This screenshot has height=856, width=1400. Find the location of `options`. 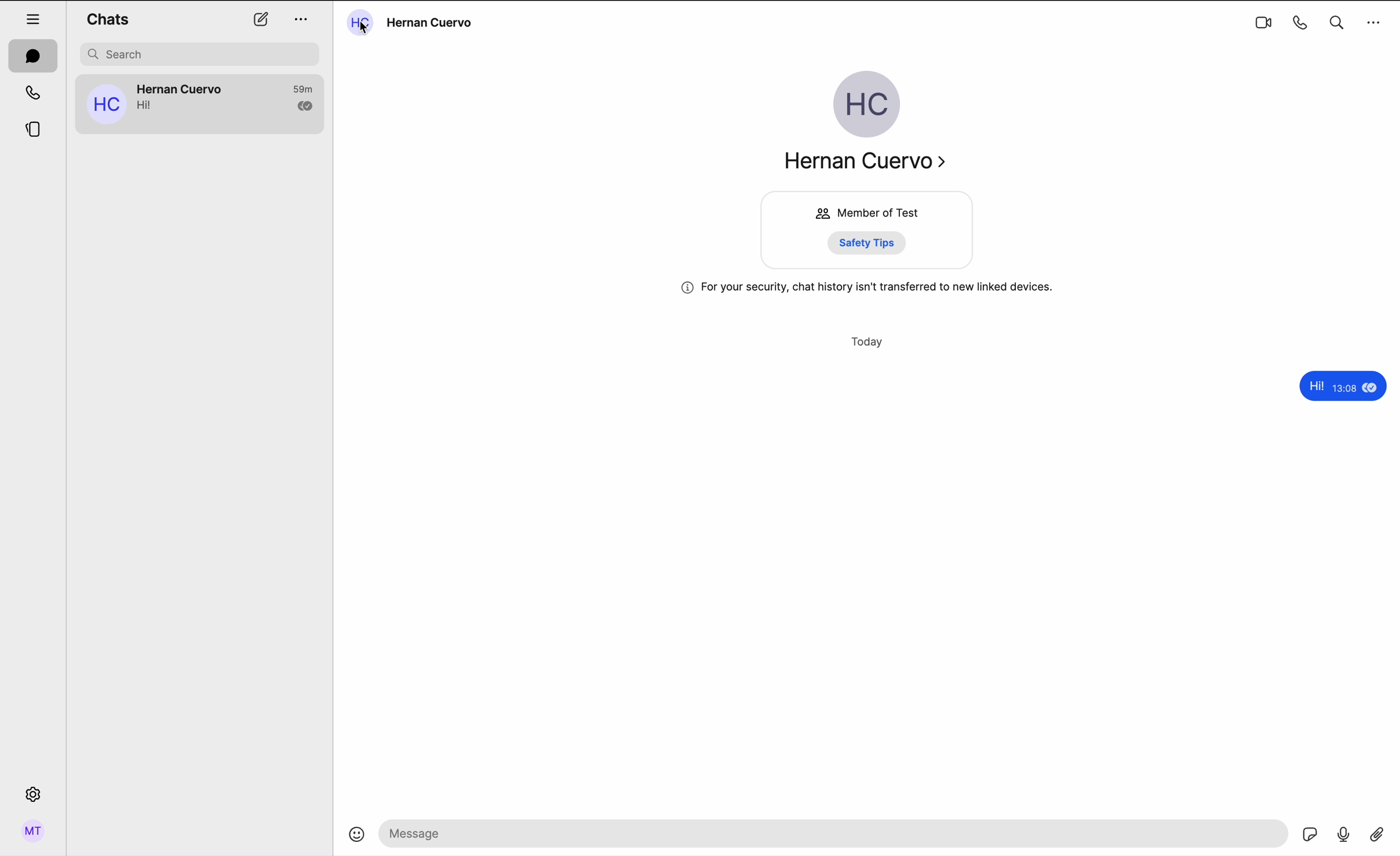

options is located at coordinates (300, 21).